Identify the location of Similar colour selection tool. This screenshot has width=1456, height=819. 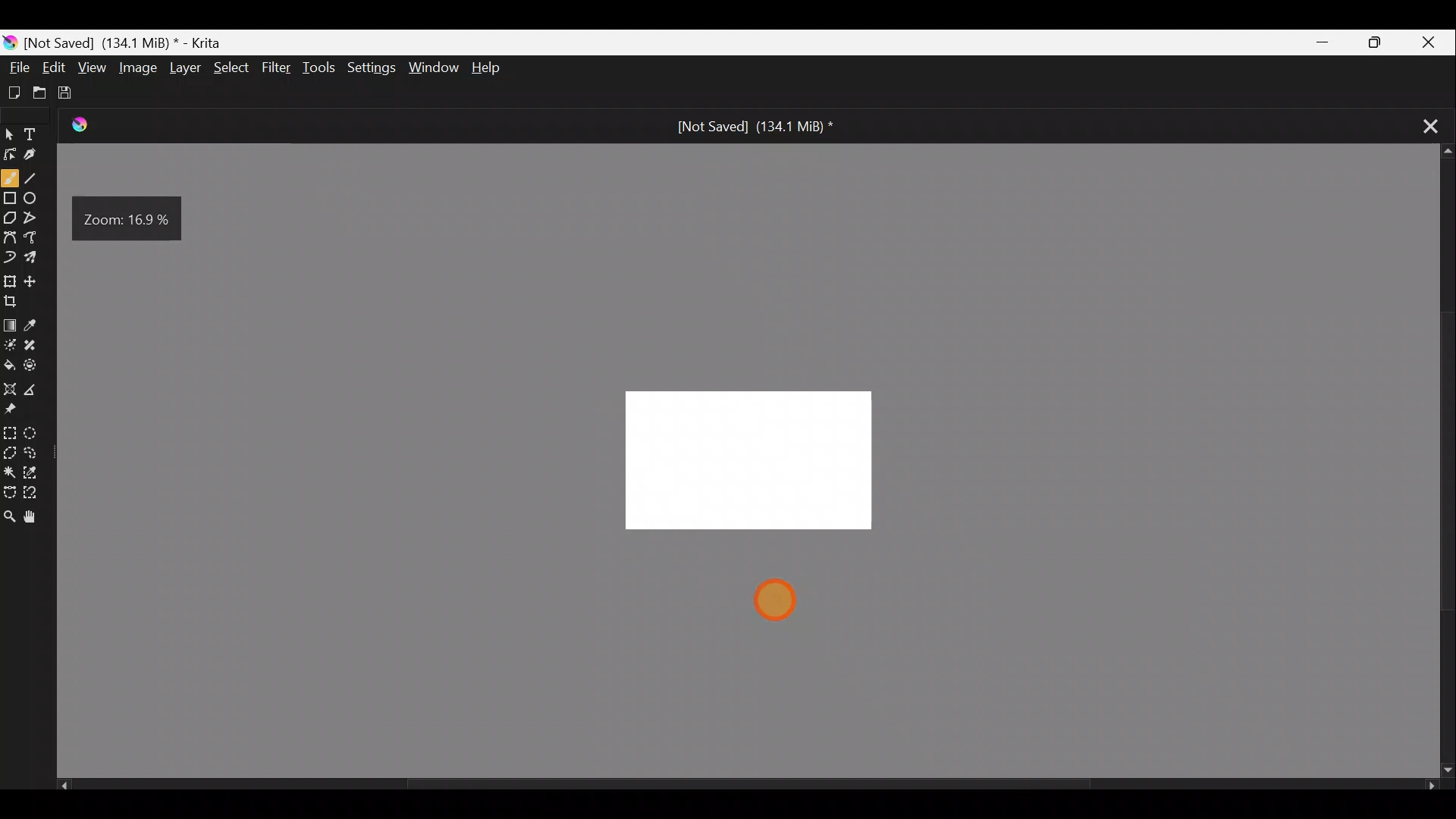
(37, 474).